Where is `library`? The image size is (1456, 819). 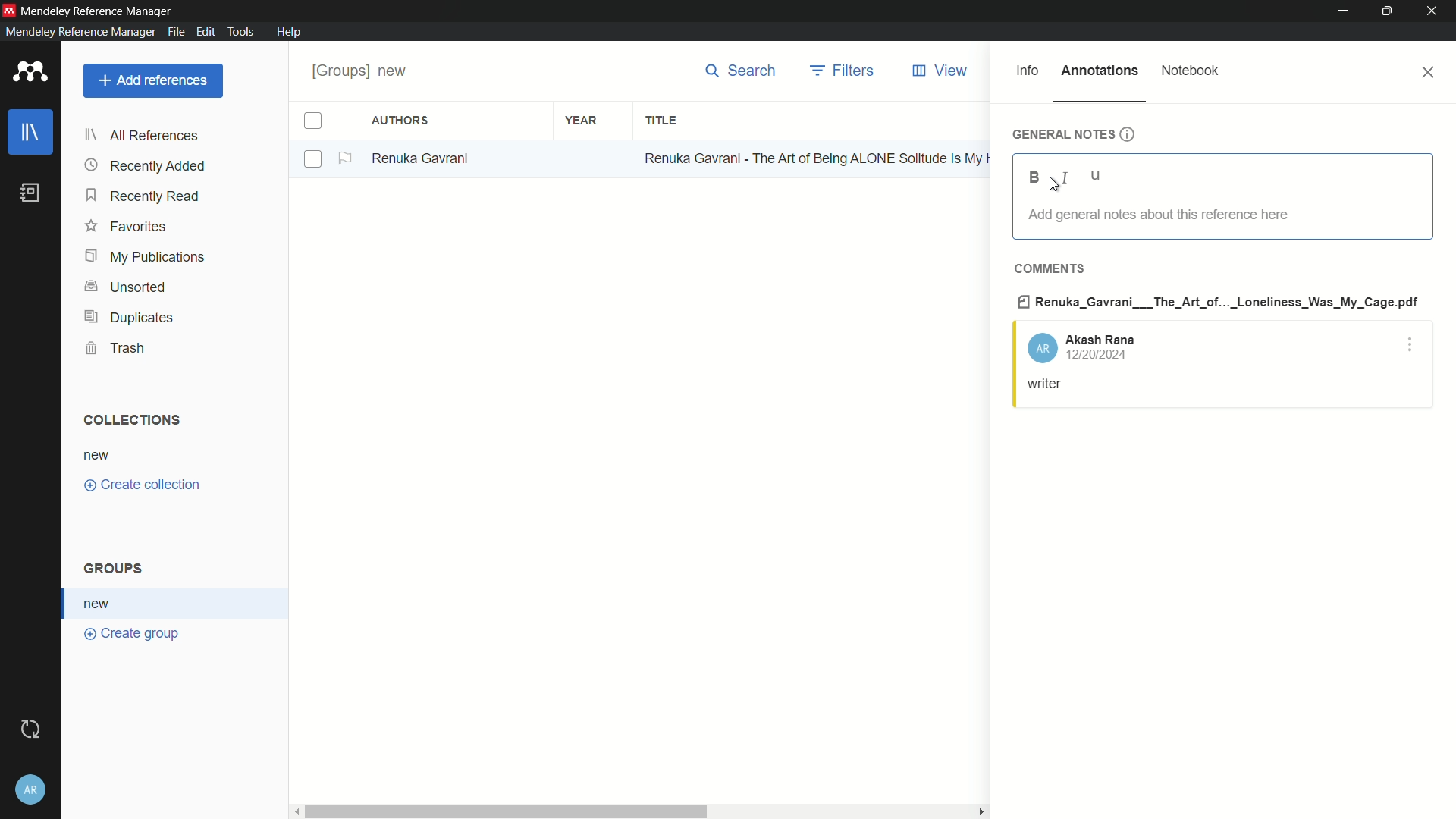 library is located at coordinates (30, 132).